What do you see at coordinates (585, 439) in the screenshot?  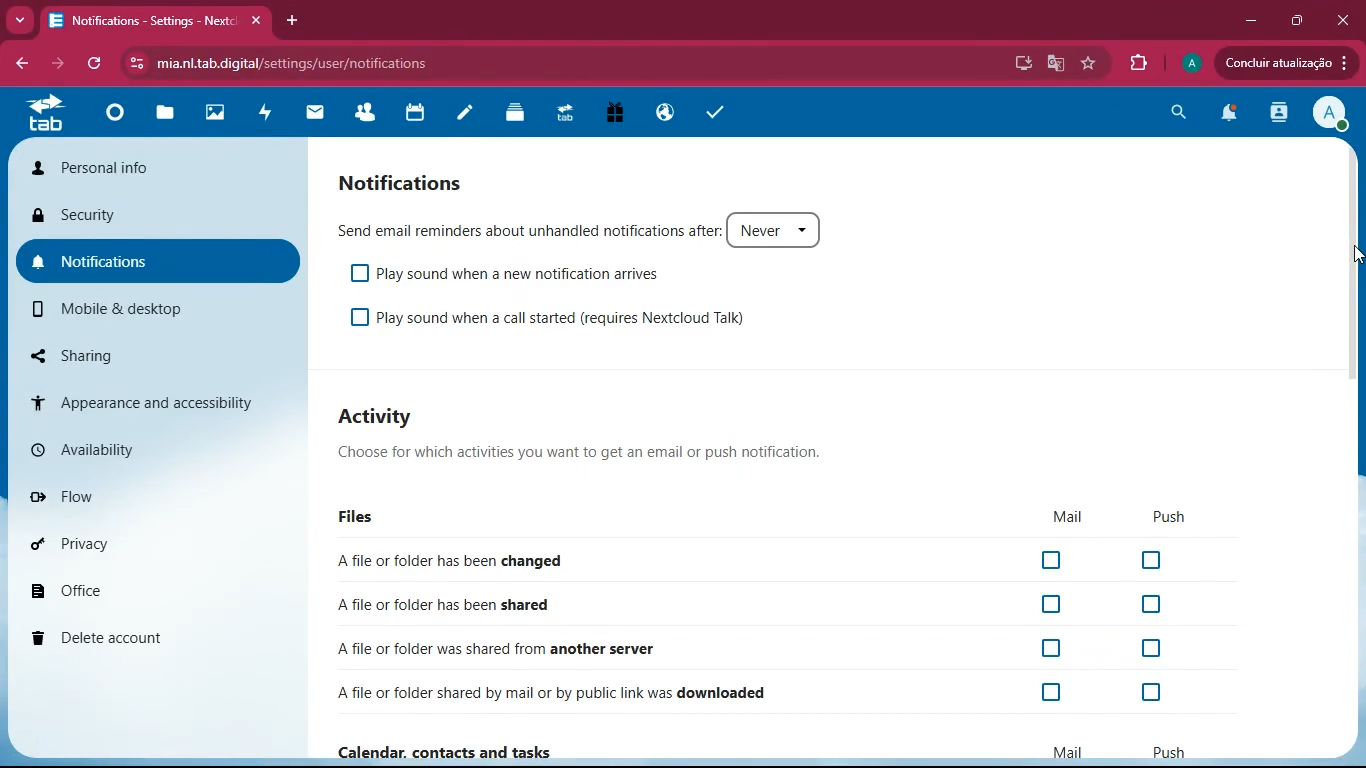 I see `Activity` at bounding box center [585, 439].